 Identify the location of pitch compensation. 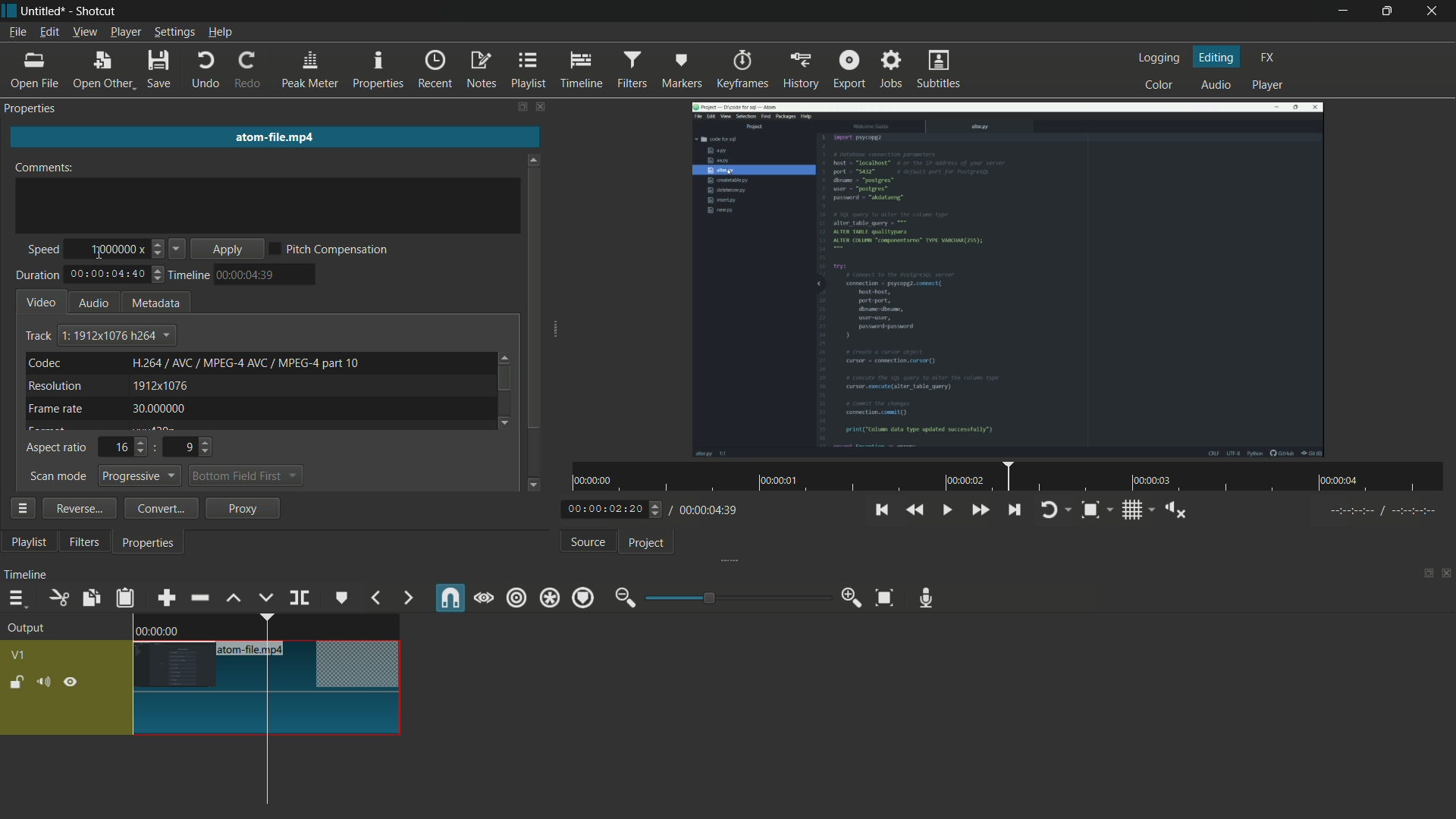
(331, 249).